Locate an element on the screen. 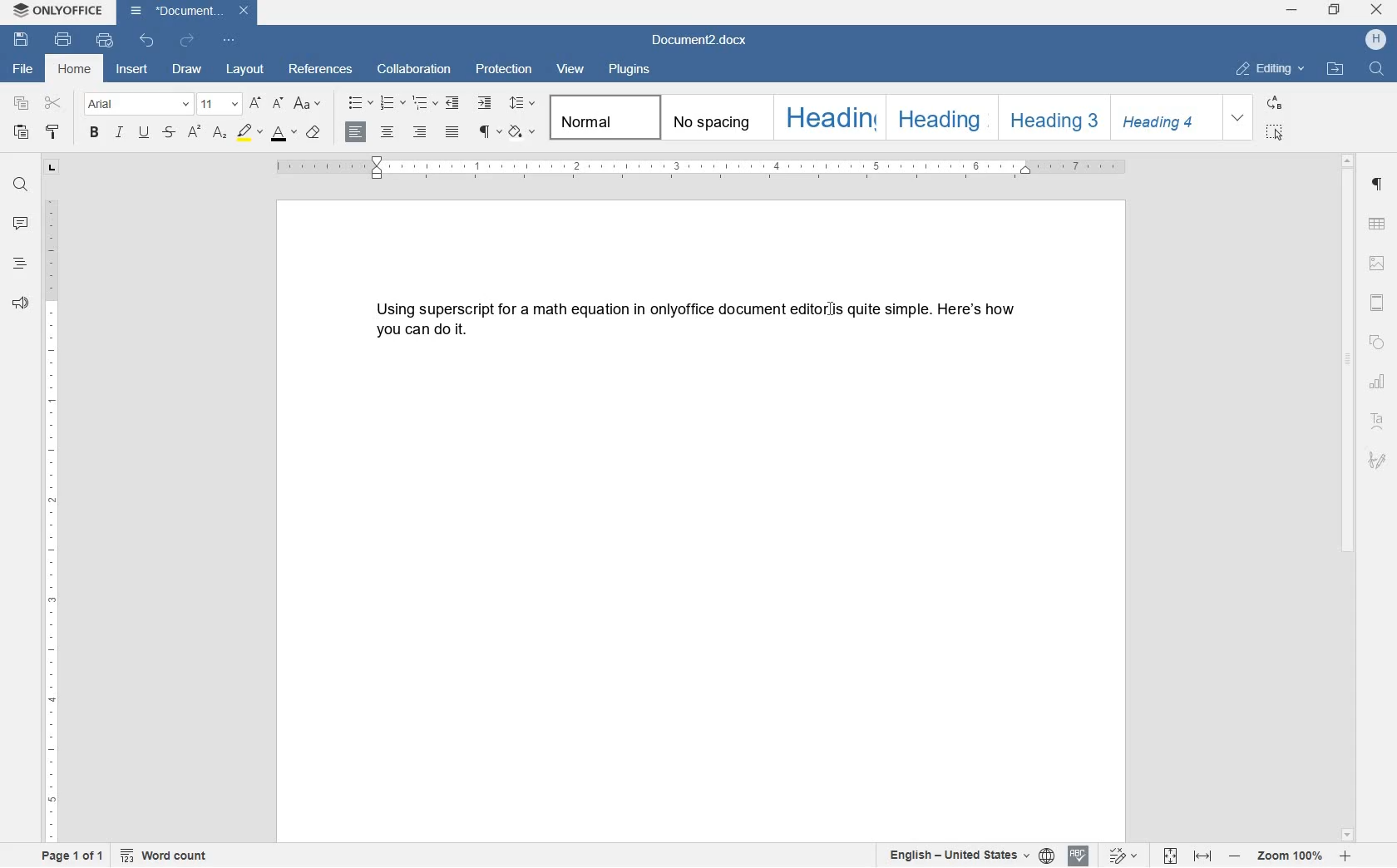 The width and height of the screenshot is (1397, 868). increase indent is located at coordinates (484, 103).